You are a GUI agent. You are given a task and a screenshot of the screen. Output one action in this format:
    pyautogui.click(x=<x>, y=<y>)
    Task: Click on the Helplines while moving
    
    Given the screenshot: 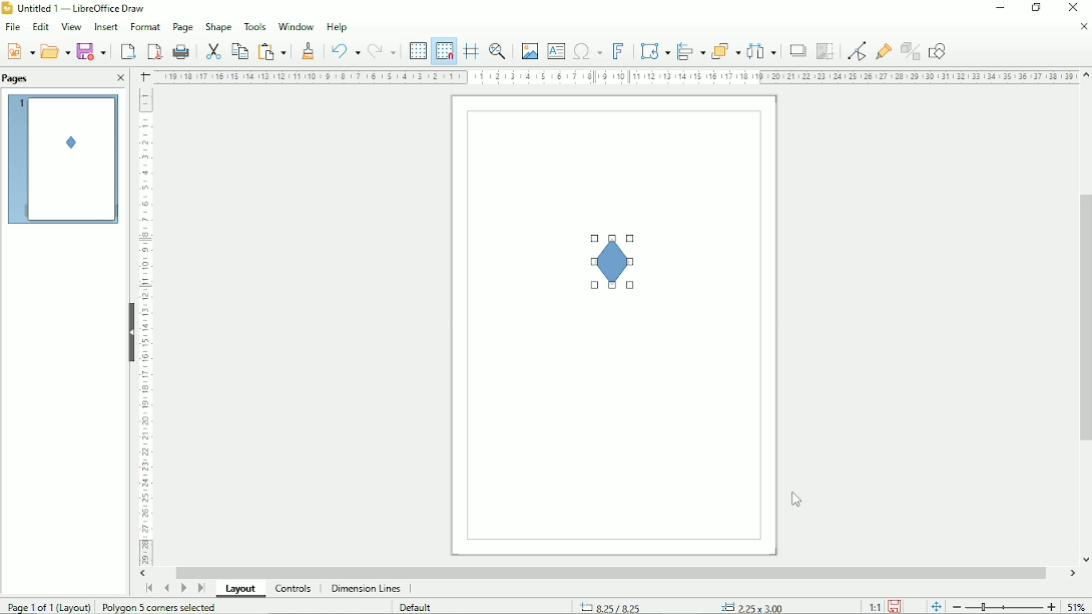 What is the action you would take?
    pyautogui.click(x=470, y=51)
    